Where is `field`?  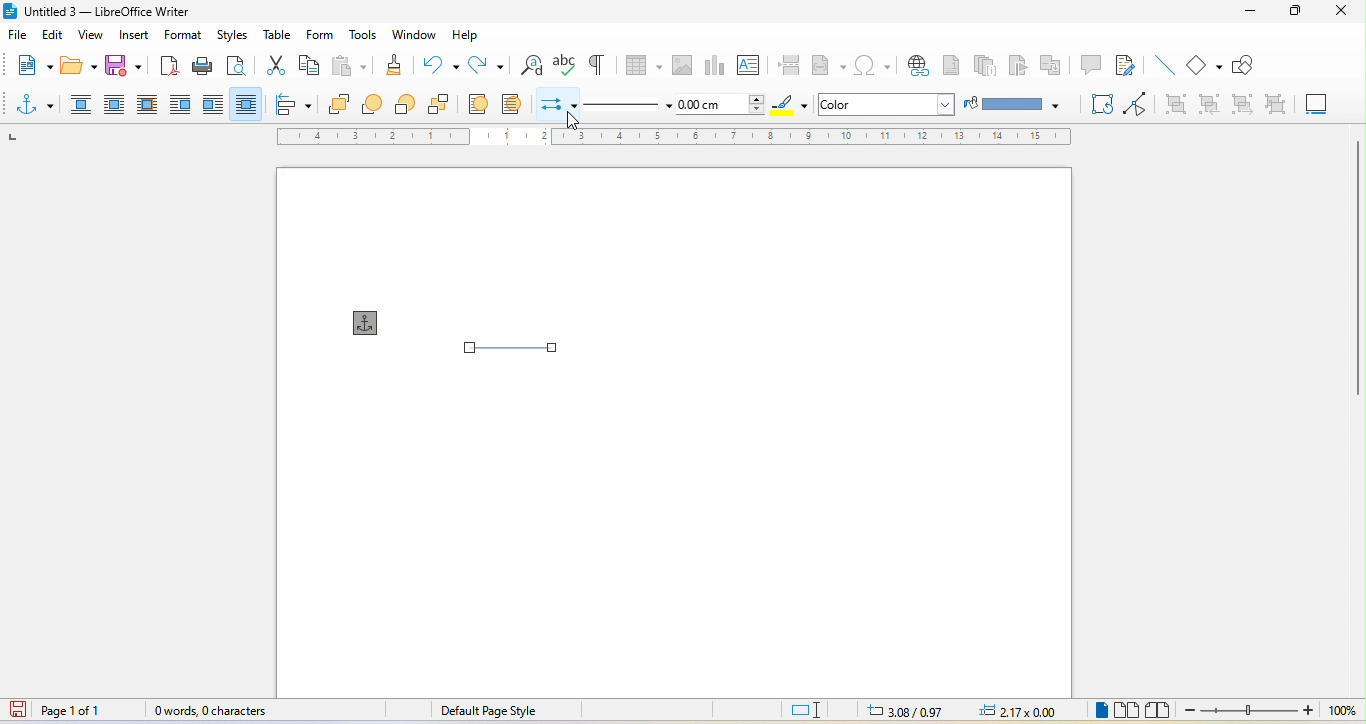
field is located at coordinates (829, 67).